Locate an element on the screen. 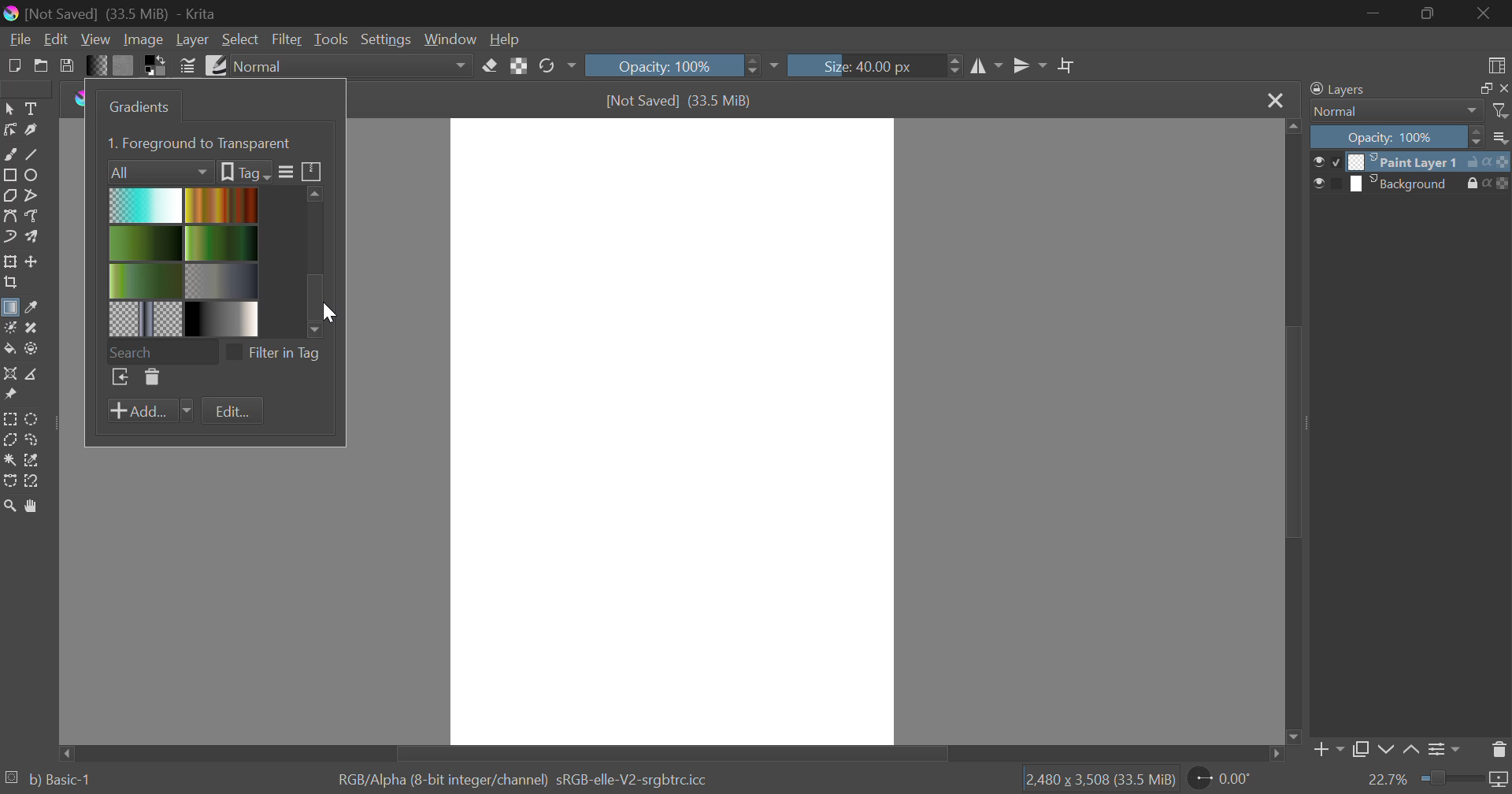 The image size is (1512, 794). Gradient 5 is located at coordinates (146, 280).